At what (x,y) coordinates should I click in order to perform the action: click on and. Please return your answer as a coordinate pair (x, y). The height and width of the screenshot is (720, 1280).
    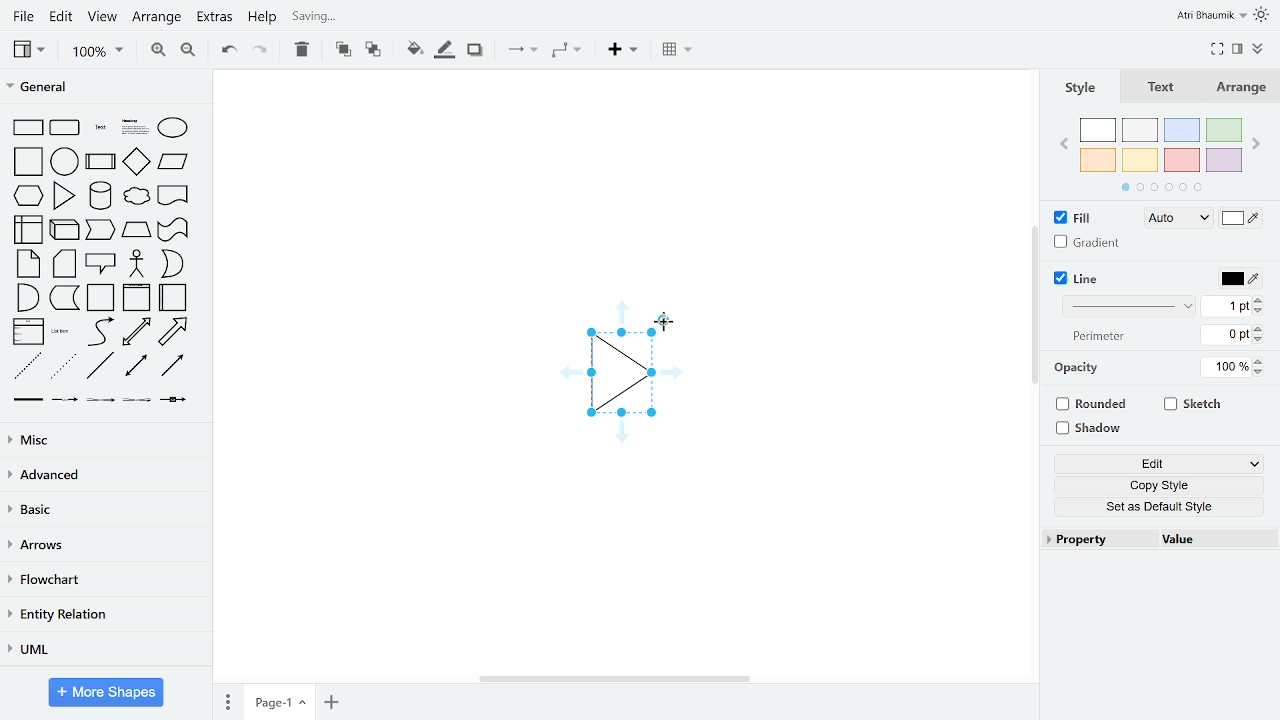
    Looking at the image, I should click on (26, 298).